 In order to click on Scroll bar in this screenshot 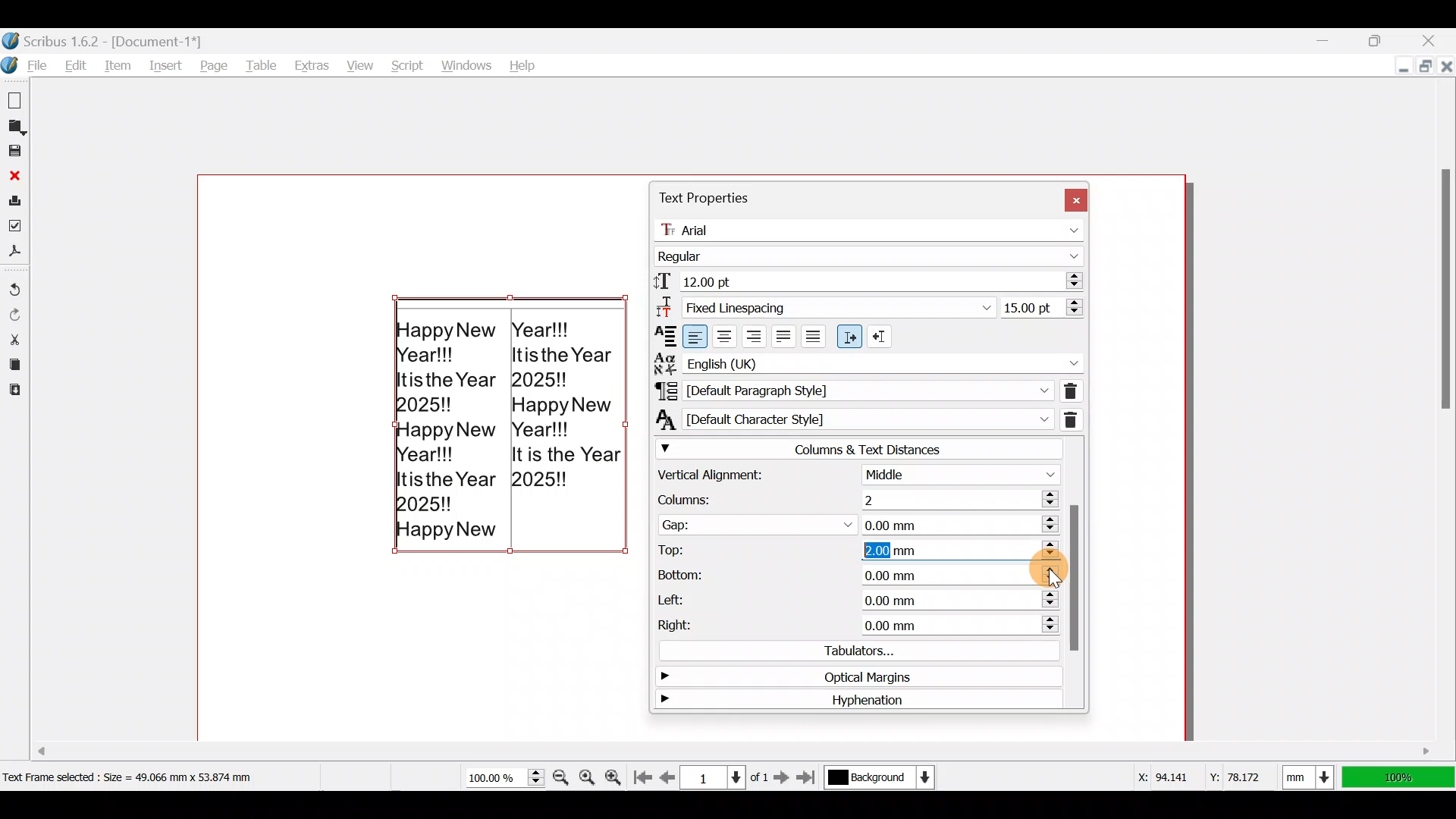, I will do `click(1075, 573)`.